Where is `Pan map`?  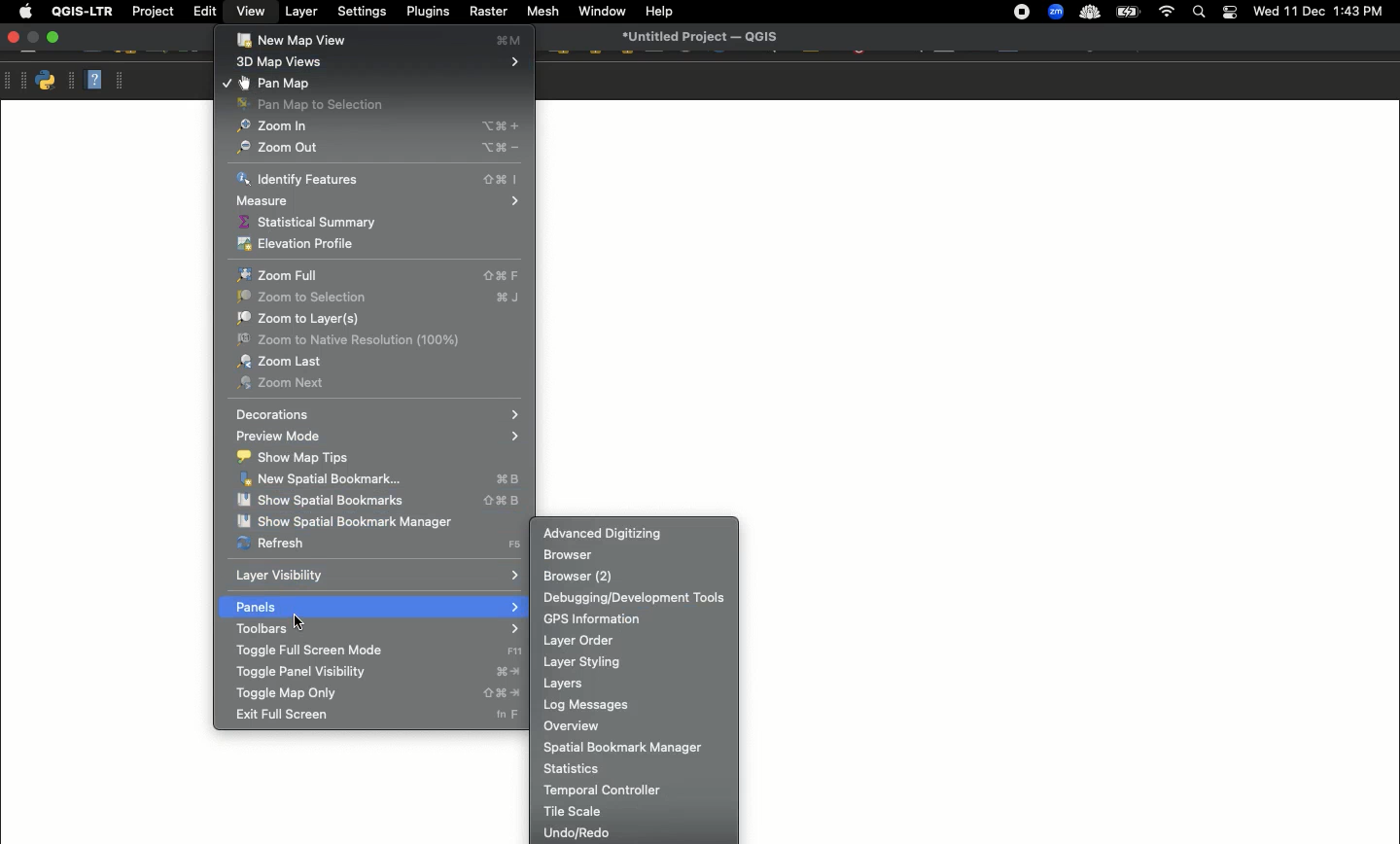 Pan map is located at coordinates (369, 82).